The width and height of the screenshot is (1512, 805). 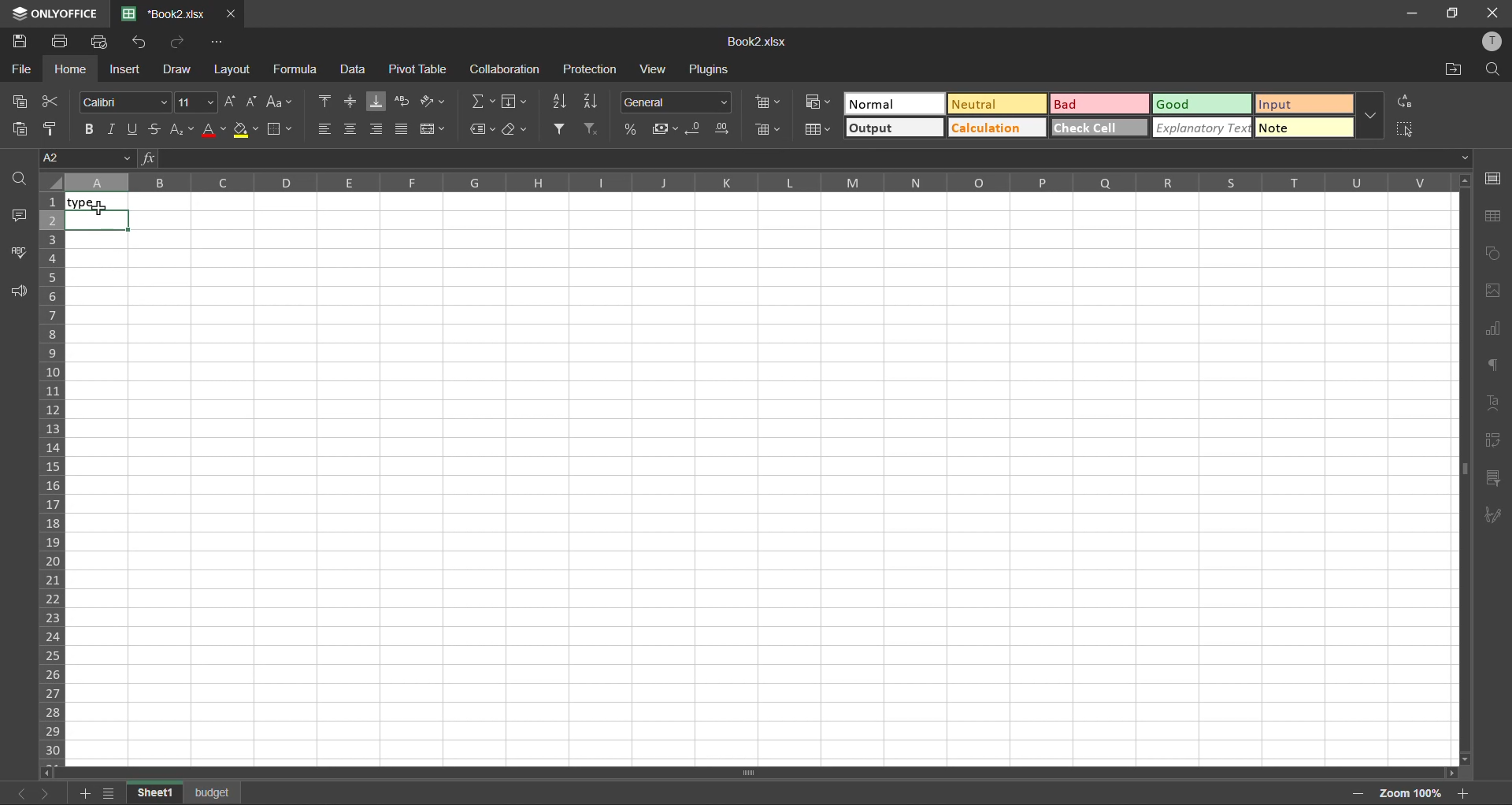 I want to click on save, so click(x=22, y=40).